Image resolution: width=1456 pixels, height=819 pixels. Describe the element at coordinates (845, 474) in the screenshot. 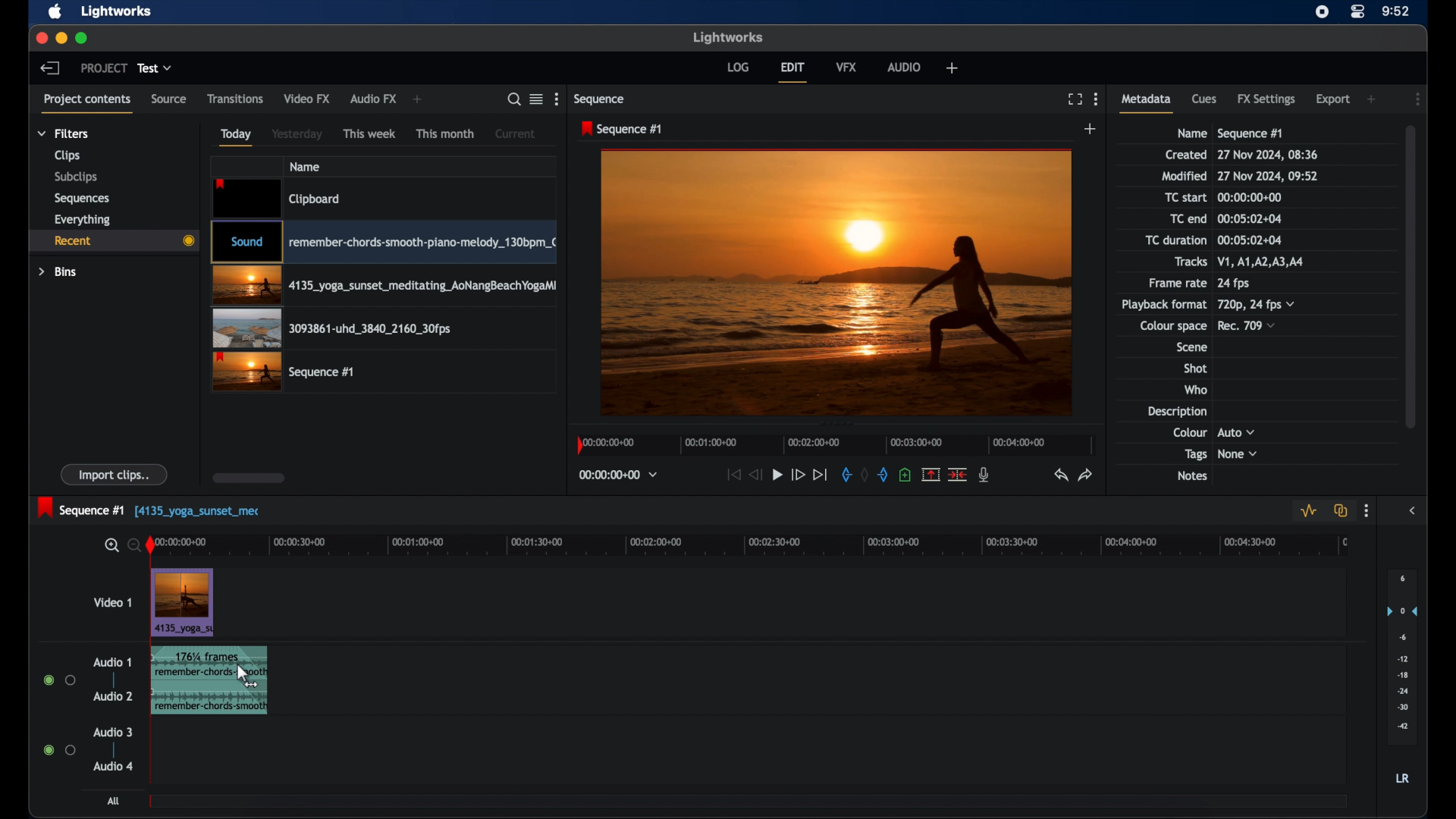

I see `in mark` at that location.